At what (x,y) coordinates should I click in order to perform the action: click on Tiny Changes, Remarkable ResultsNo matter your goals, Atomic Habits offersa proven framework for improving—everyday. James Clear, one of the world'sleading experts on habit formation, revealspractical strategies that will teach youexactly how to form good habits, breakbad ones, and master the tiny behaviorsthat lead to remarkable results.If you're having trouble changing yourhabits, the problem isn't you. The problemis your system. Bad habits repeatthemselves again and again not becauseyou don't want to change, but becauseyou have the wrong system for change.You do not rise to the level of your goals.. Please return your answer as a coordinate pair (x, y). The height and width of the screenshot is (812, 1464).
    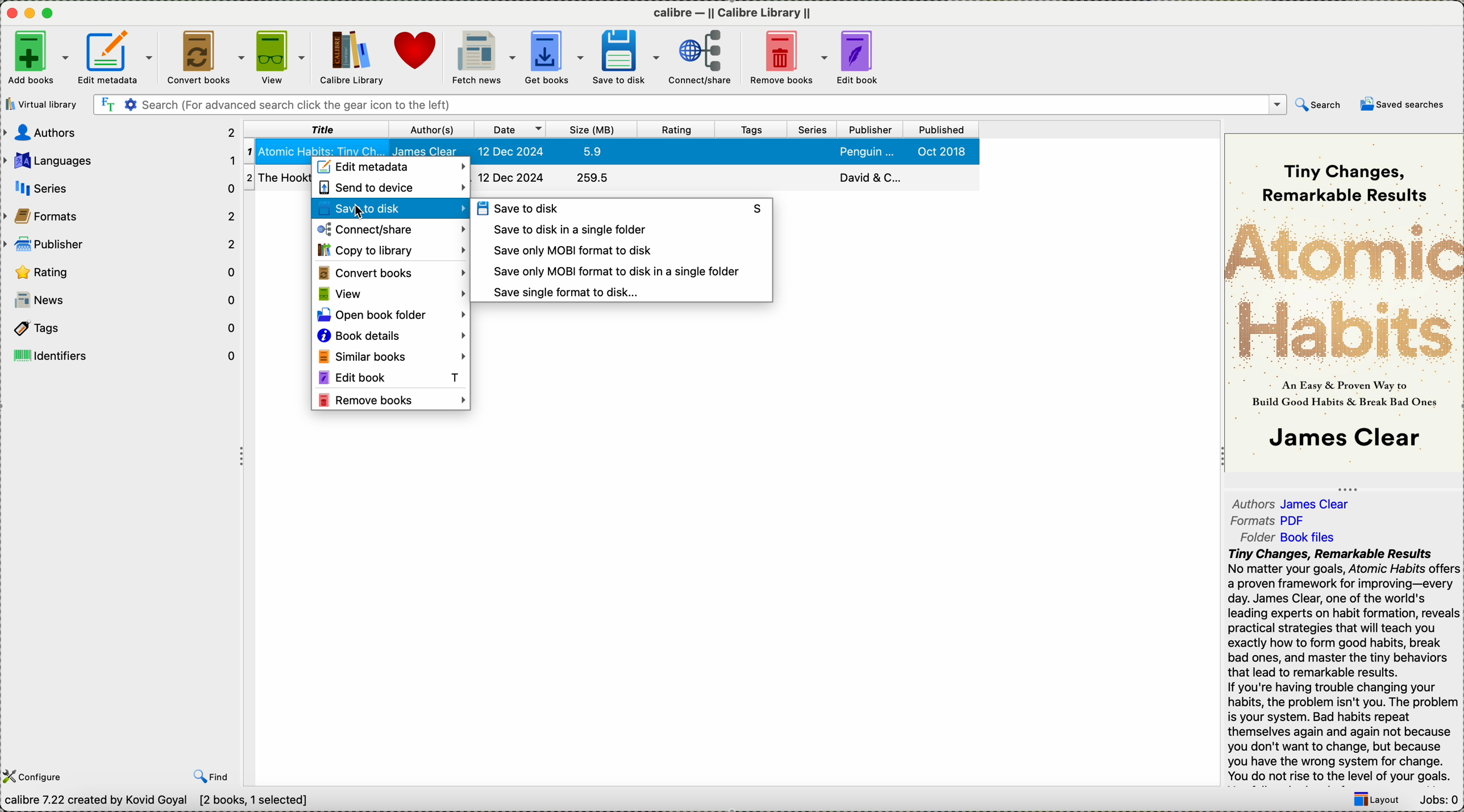
    Looking at the image, I should click on (1341, 664).